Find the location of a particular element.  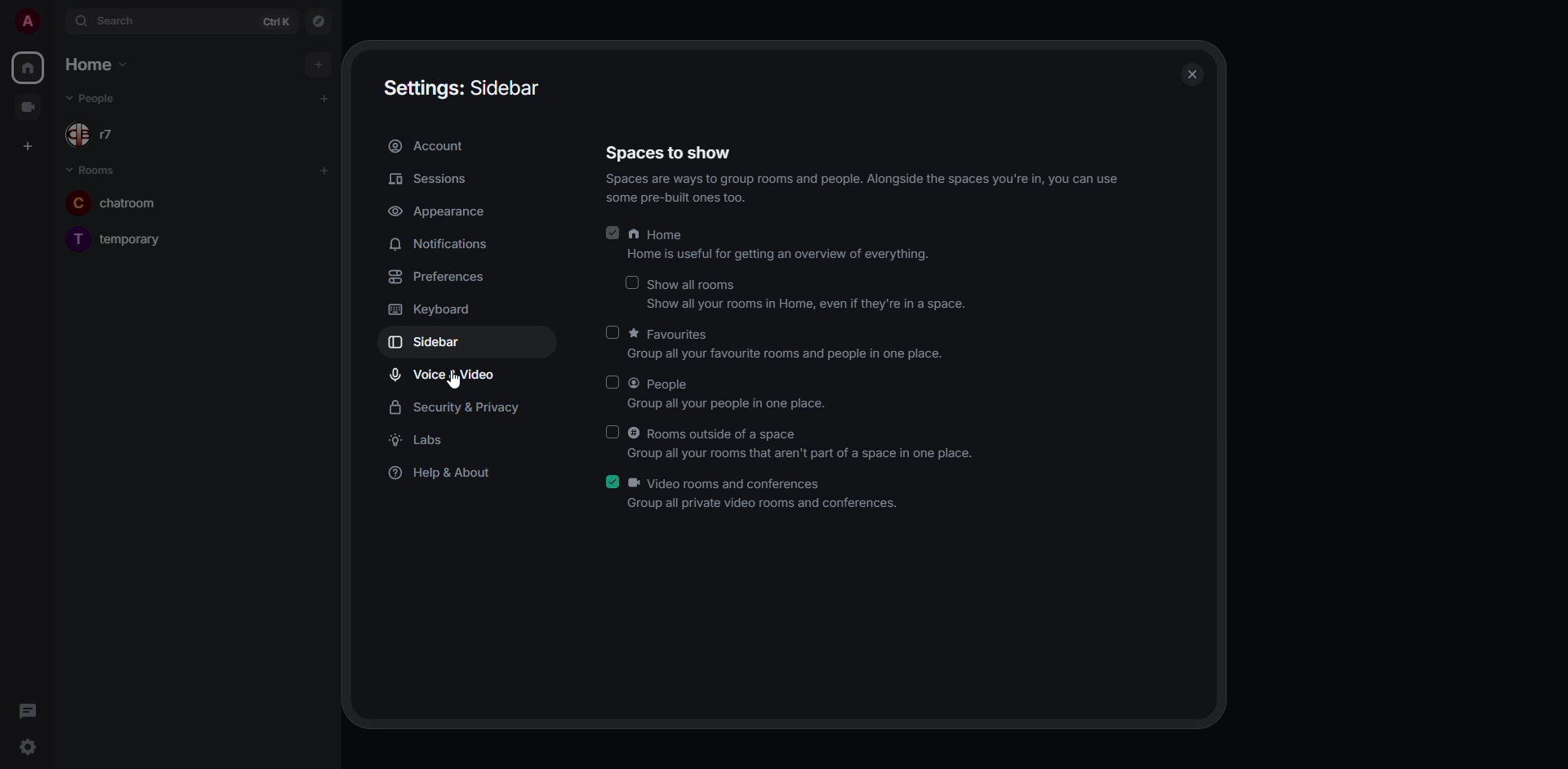

navigator is located at coordinates (320, 22).